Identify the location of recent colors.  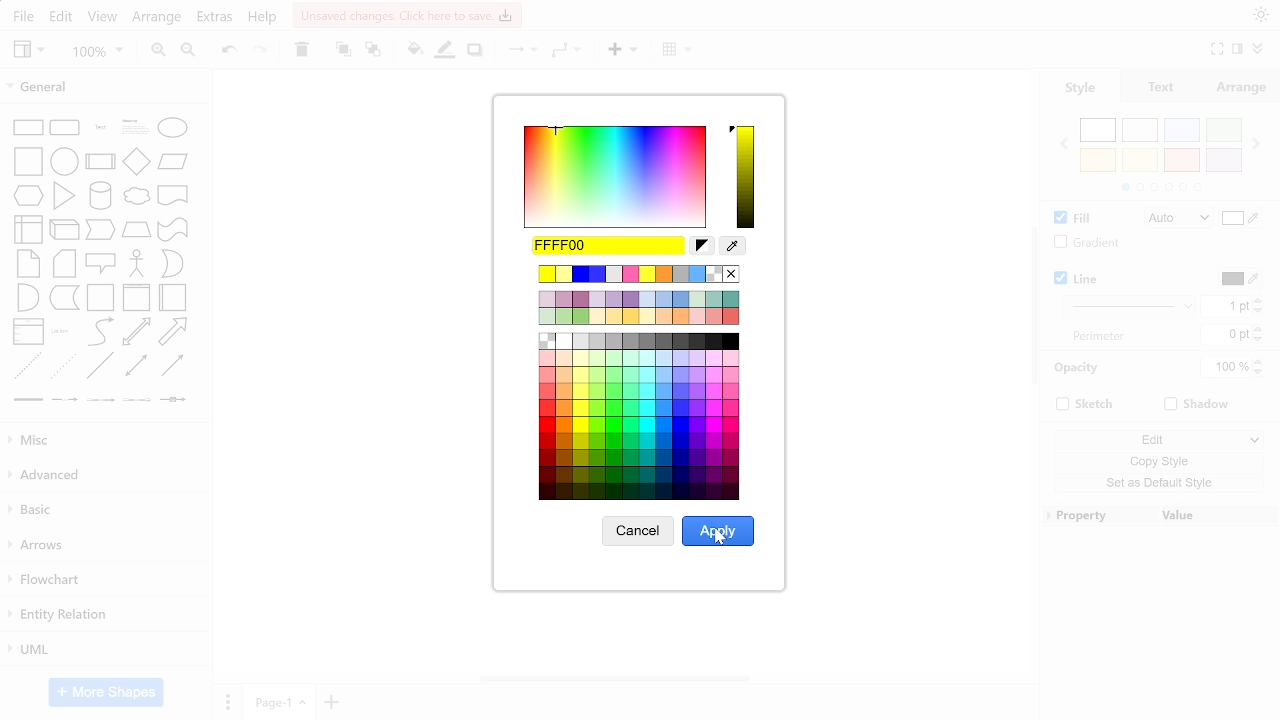
(641, 275).